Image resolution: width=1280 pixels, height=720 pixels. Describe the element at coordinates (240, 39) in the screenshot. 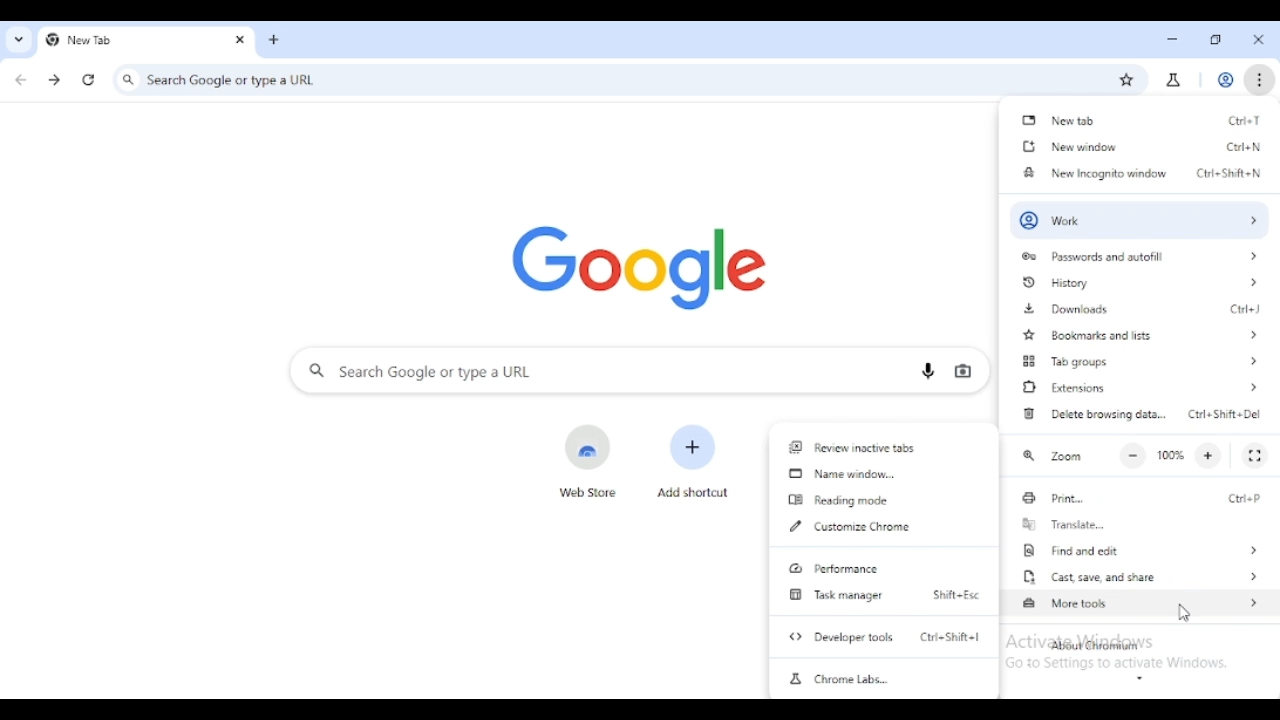

I see `close tab` at that location.